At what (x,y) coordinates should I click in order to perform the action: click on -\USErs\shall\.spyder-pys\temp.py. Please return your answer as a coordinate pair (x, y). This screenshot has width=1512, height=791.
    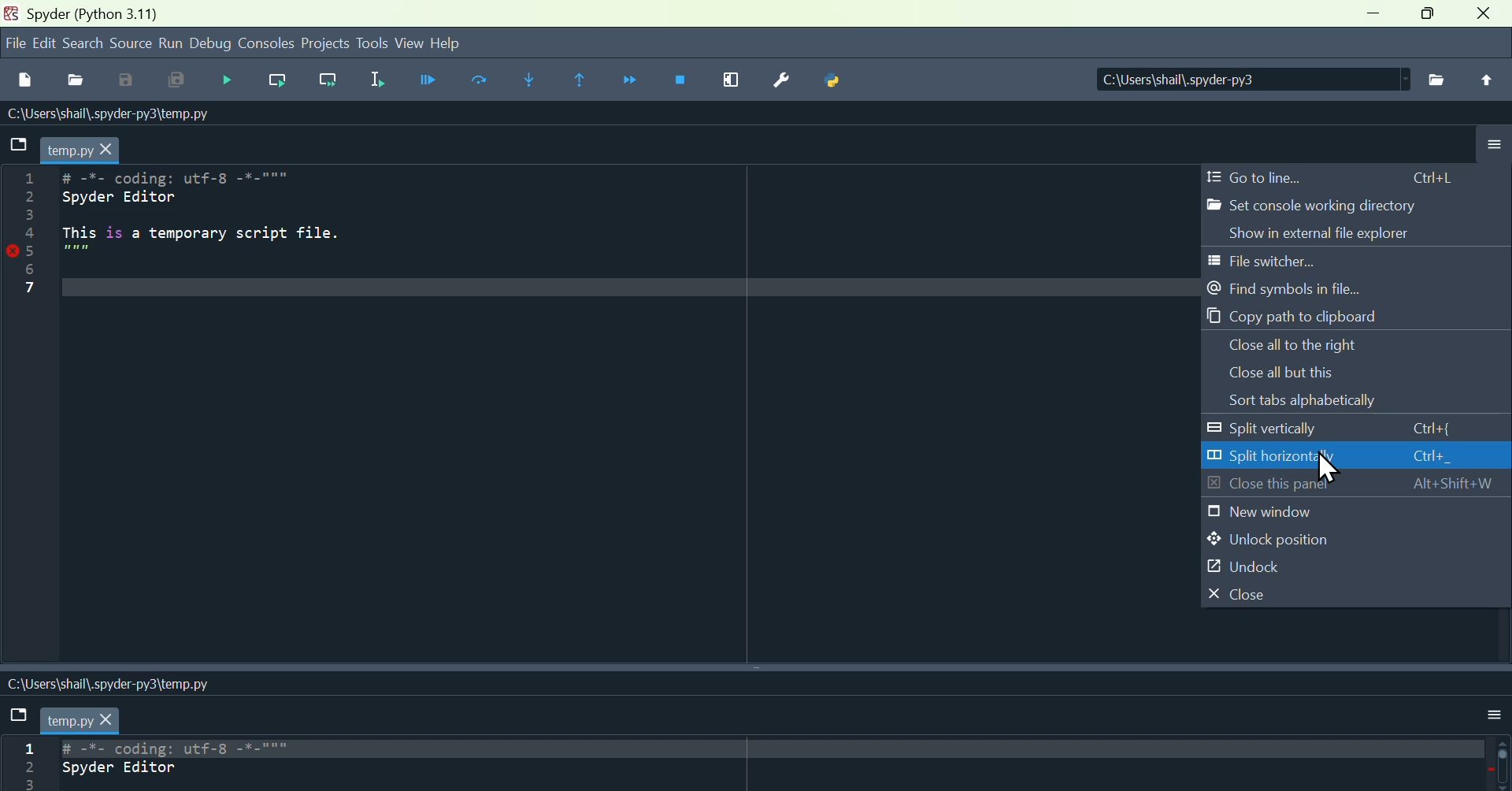
    Looking at the image, I should click on (113, 115).